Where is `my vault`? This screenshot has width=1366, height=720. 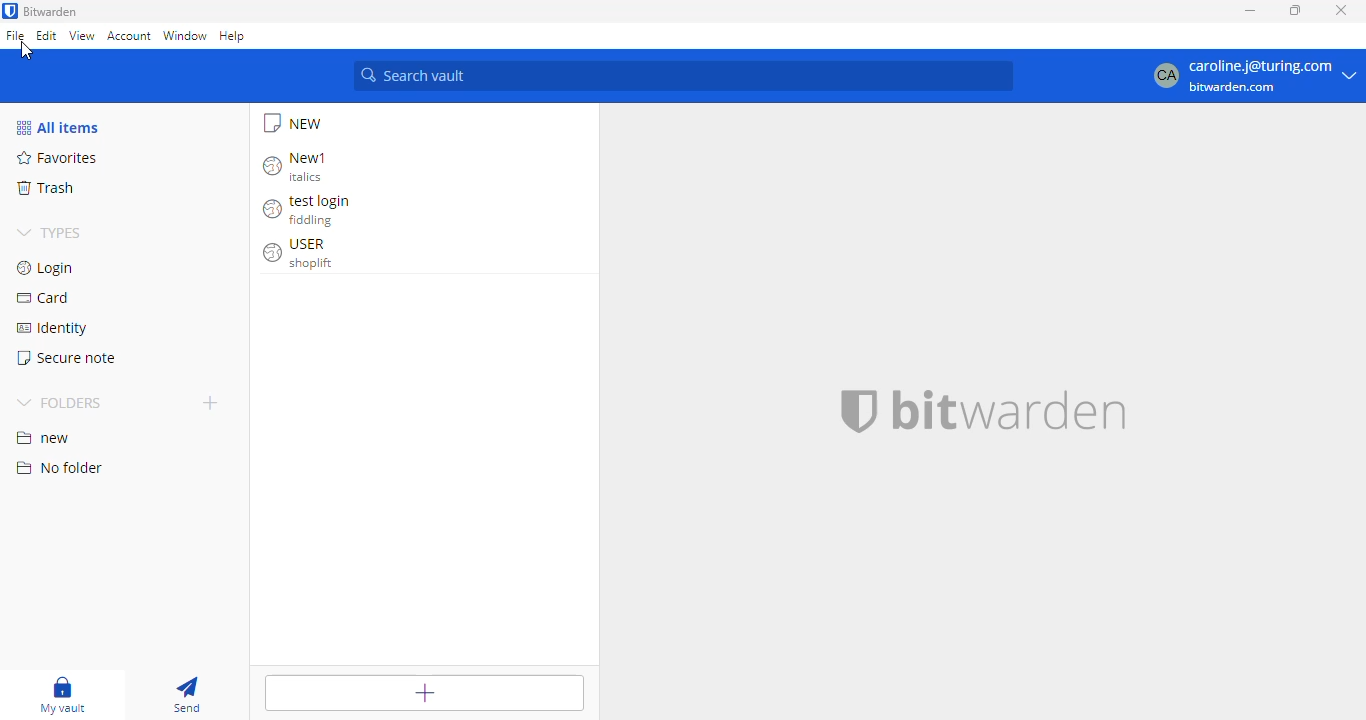 my vault is located at coordinates (60, 694).